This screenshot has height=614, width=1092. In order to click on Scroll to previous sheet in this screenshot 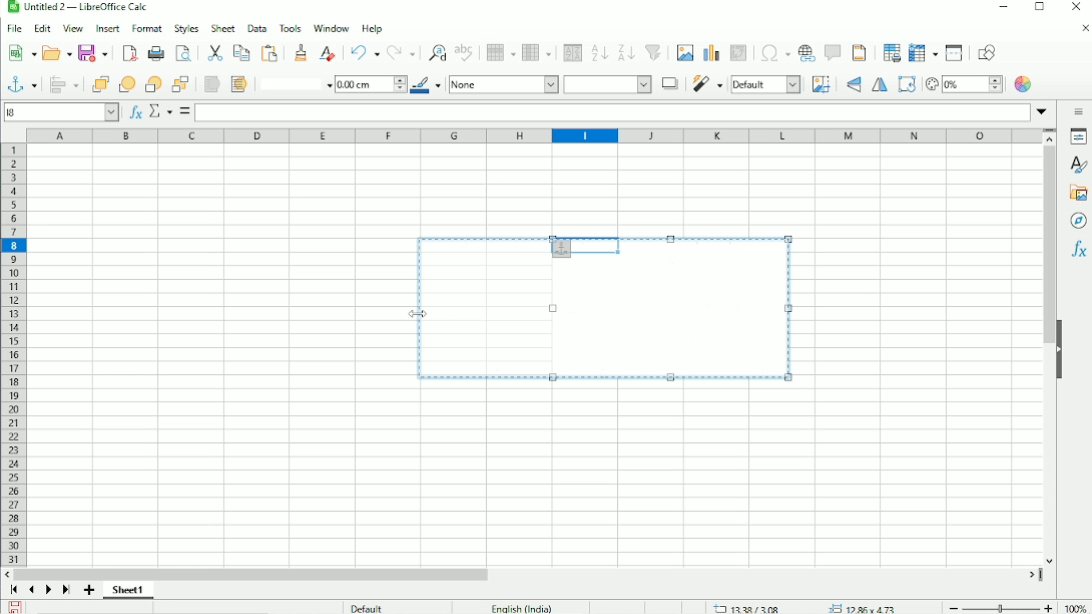, I will do `click(32, 589)`.